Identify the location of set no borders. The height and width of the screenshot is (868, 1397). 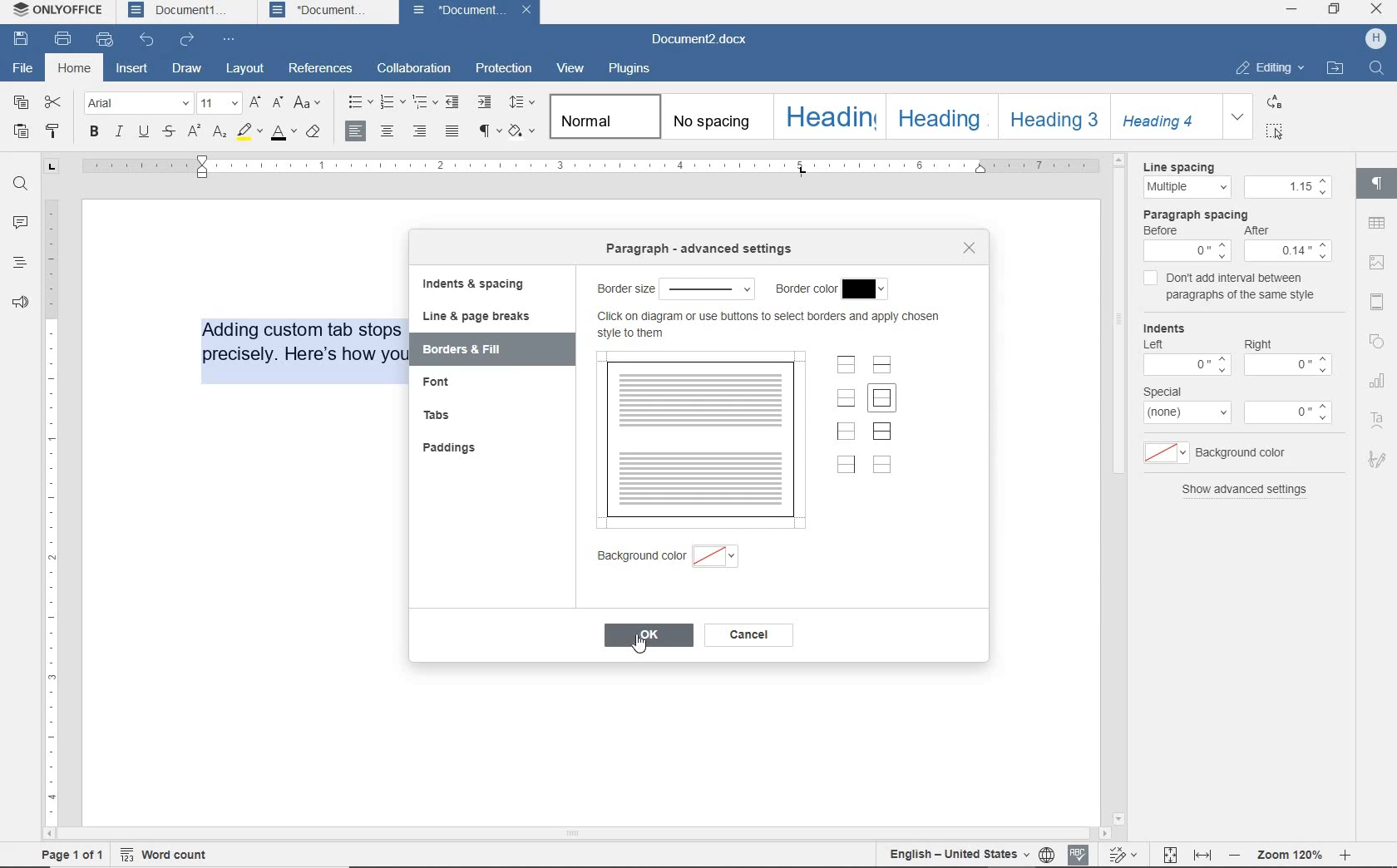
(883, 465).